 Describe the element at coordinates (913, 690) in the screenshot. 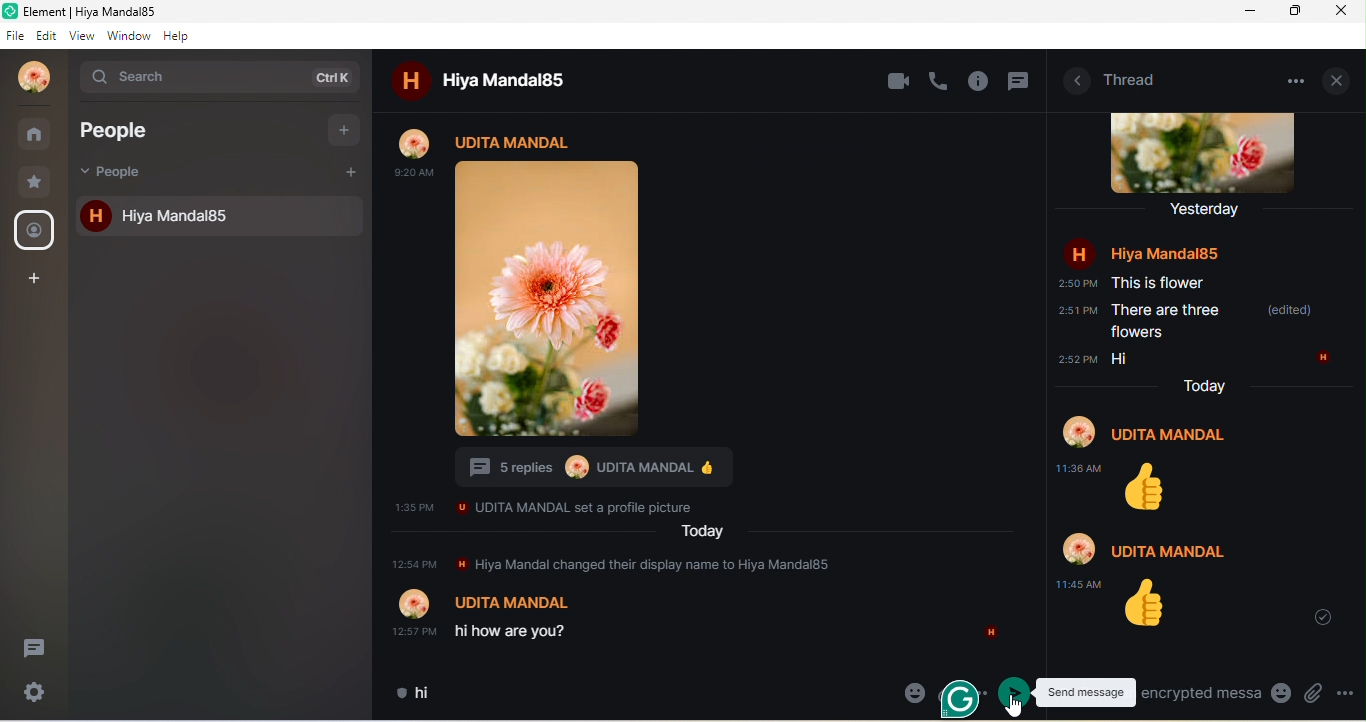

I see `emoji` at that location.